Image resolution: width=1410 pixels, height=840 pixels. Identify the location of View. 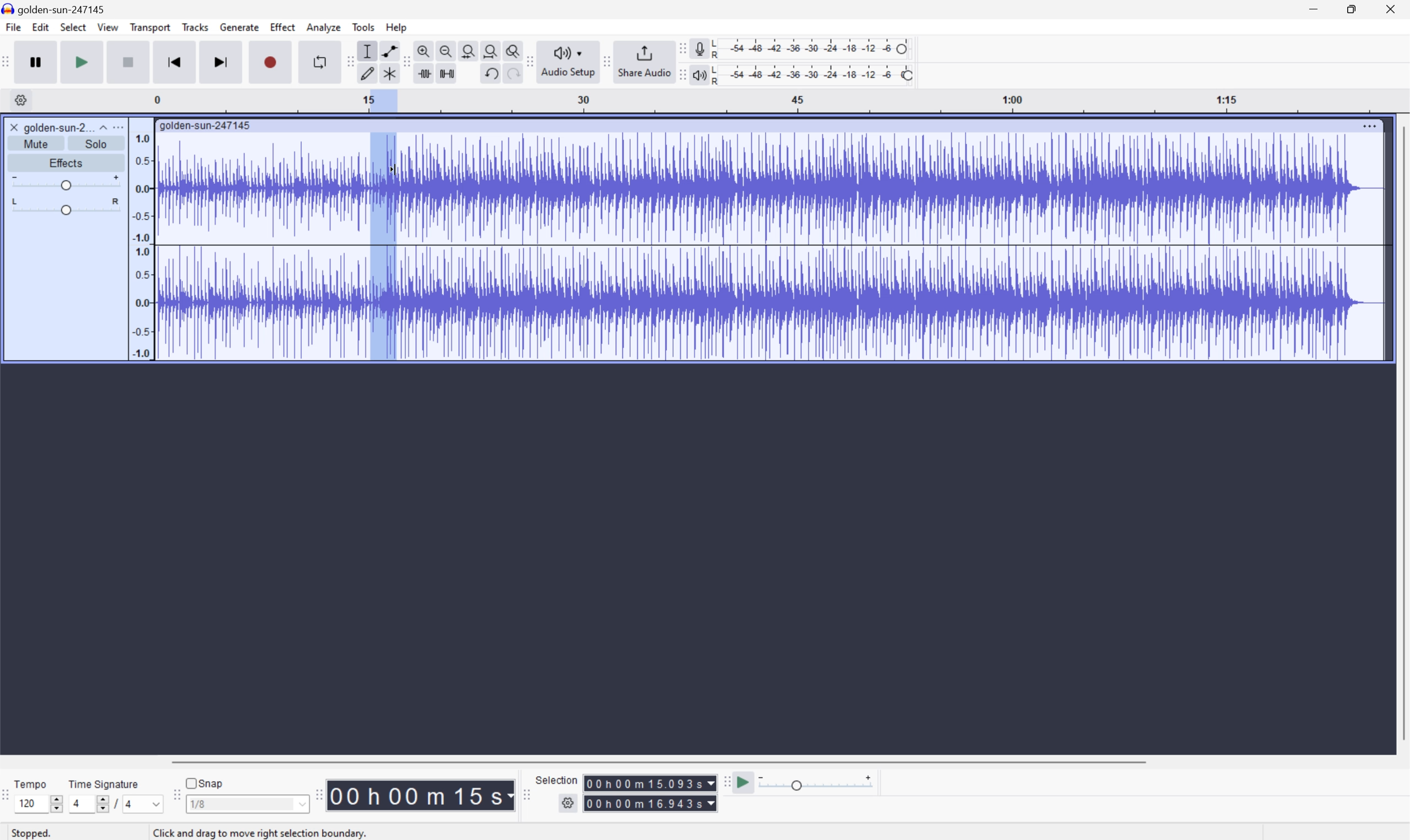
(109, 29).